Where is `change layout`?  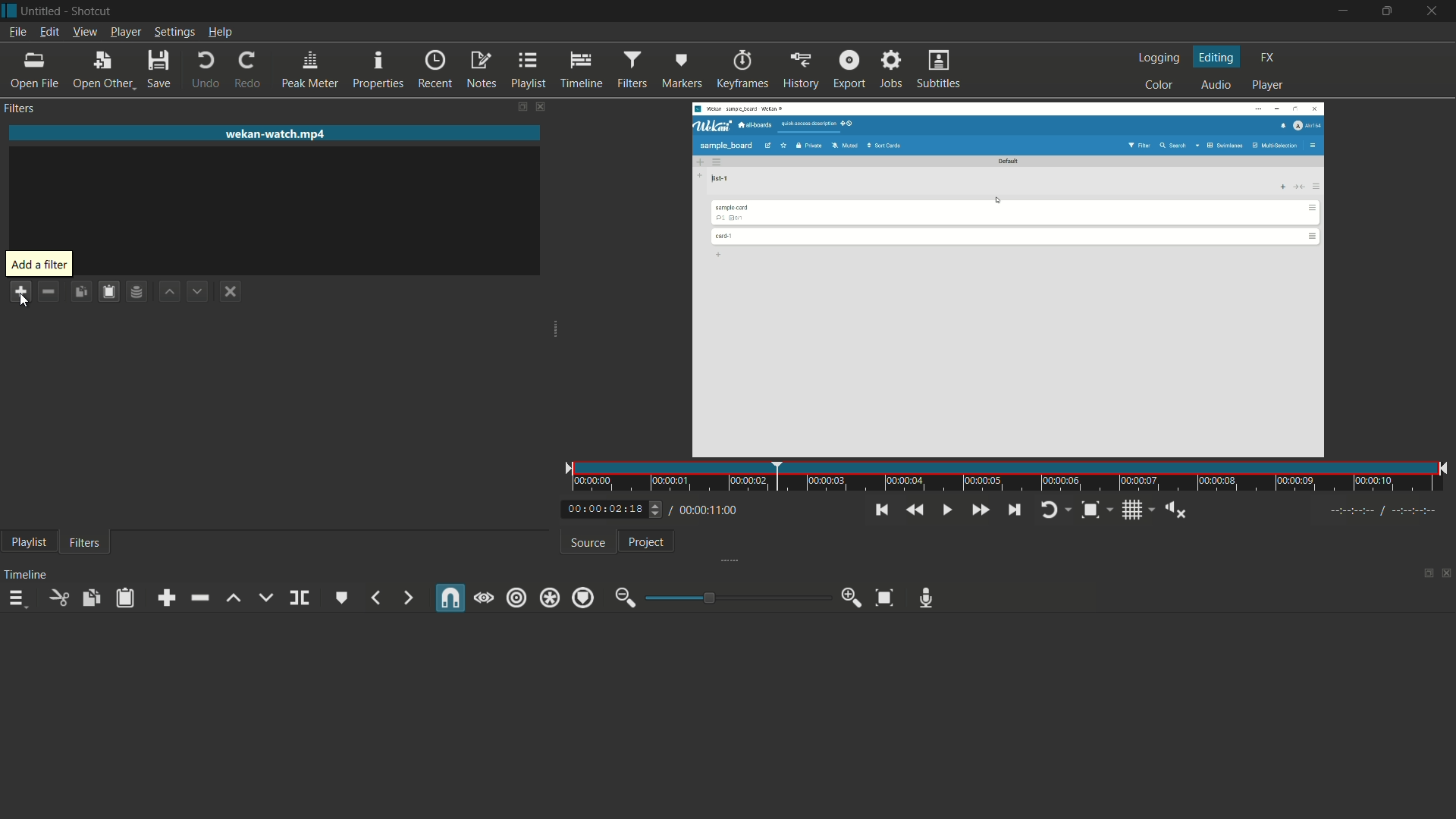 change layout is located at coordinates (1426, 572).